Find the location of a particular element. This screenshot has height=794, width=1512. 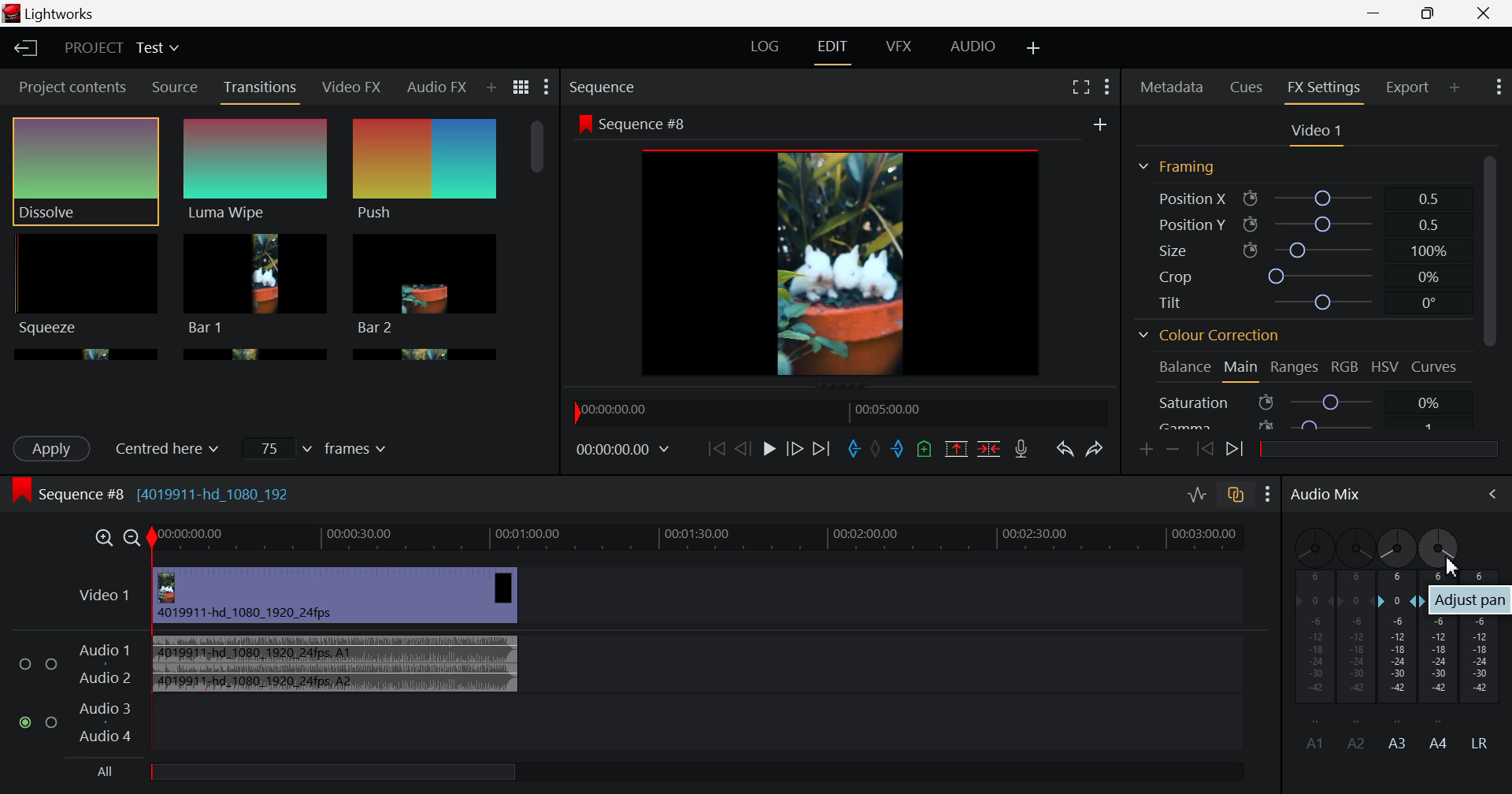

Source is located at coordinates (176, 86).